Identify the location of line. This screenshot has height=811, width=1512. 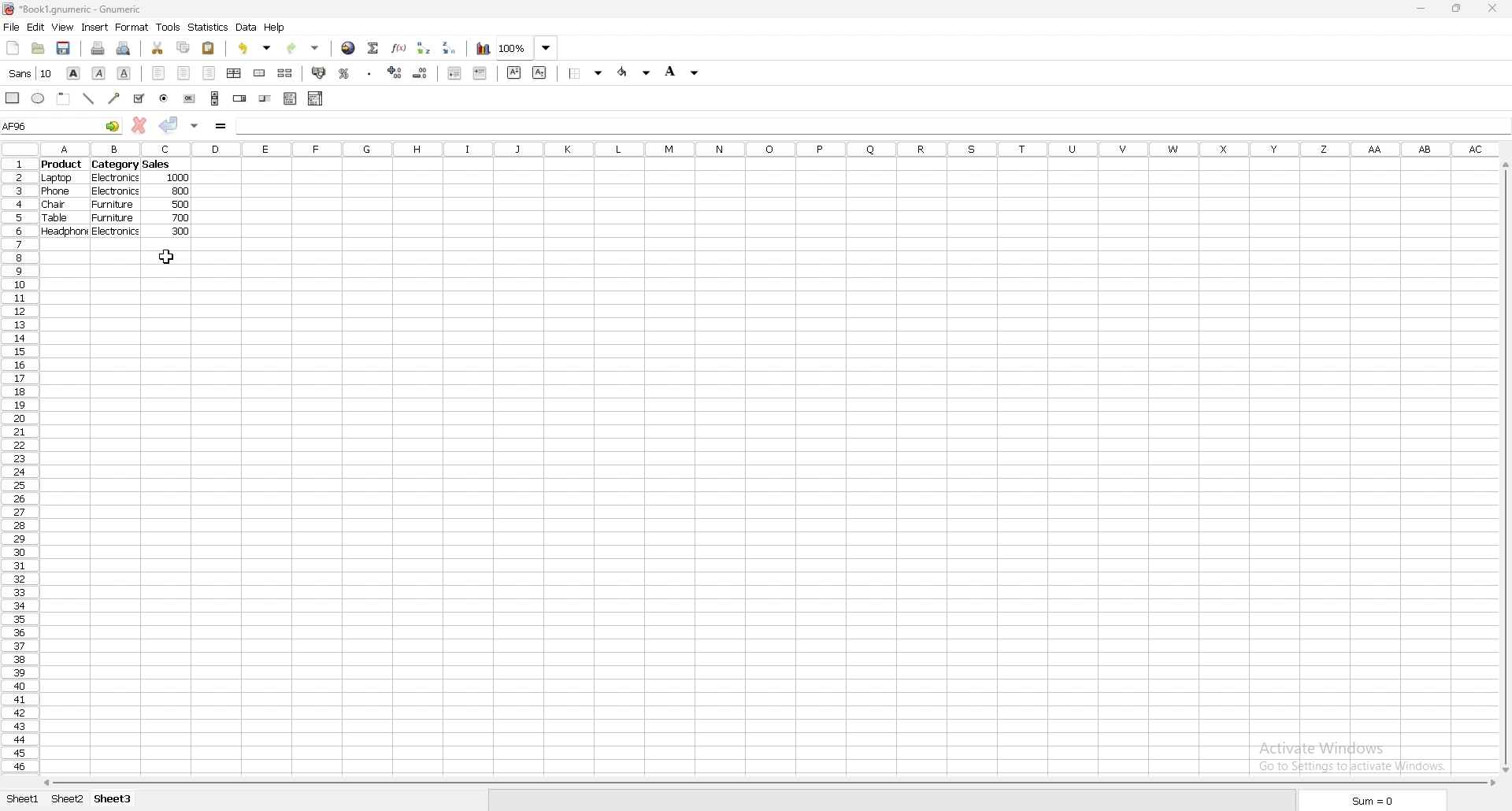
(89, 99).